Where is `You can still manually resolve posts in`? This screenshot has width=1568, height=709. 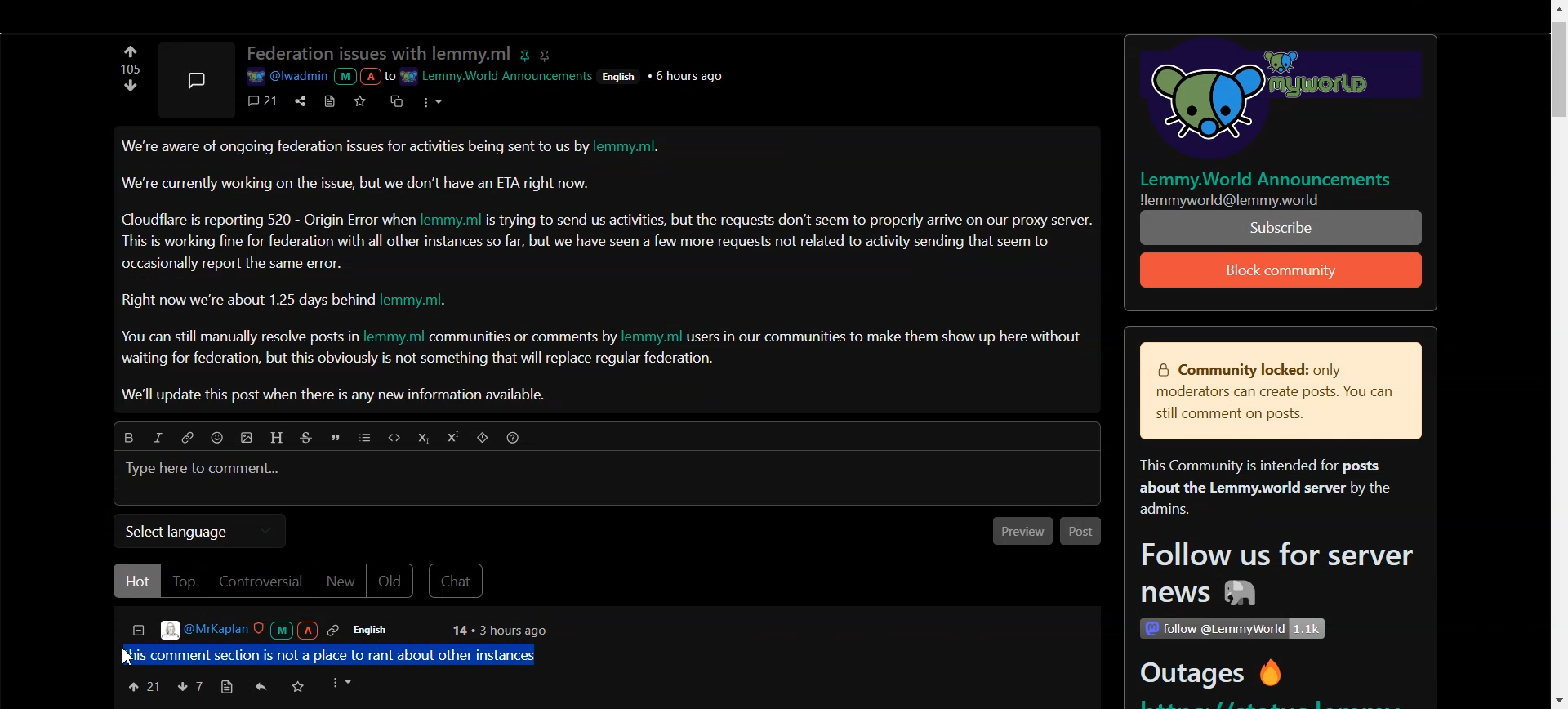 You can still manually resolve posts in is located at coordinates (235, 339).